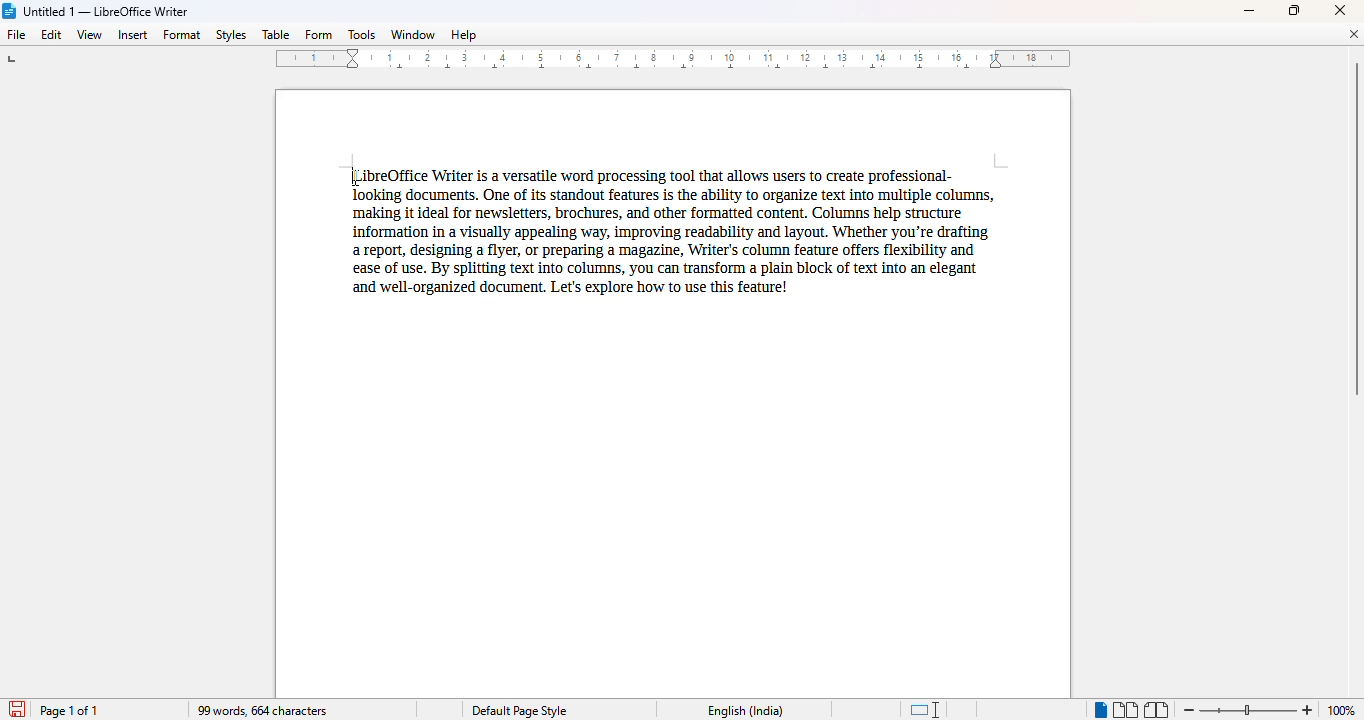 This screenshot has width=1364, height=720. What do you see at coordinates (275, 34) in the screenshot?
I see `table` at bounding box center [275, 34].